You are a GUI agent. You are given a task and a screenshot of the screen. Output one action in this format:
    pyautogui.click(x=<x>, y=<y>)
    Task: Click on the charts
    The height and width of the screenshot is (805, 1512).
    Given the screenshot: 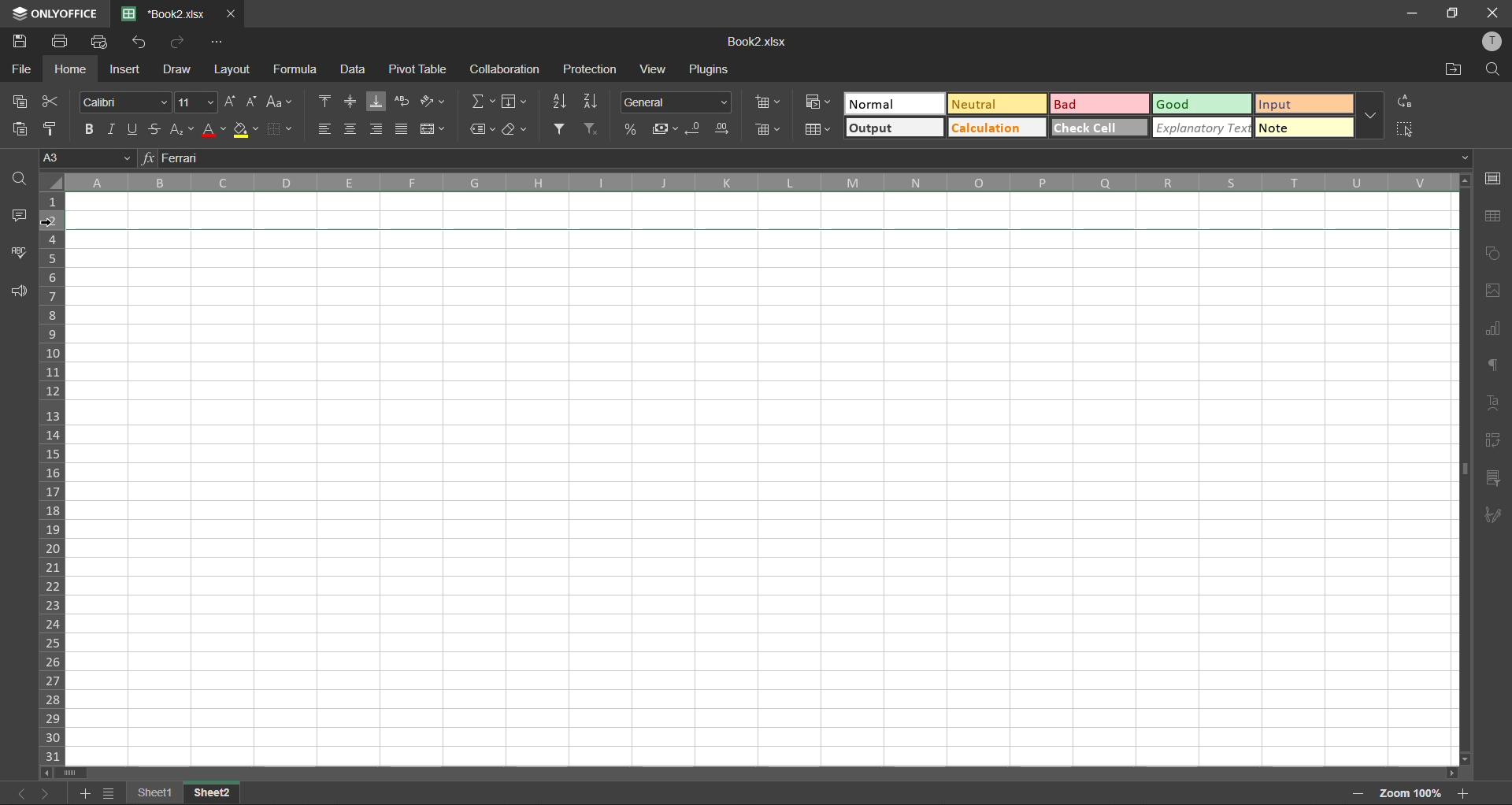 What is the action you would take?
    pyautogui.click(x=1494, y=332)
    